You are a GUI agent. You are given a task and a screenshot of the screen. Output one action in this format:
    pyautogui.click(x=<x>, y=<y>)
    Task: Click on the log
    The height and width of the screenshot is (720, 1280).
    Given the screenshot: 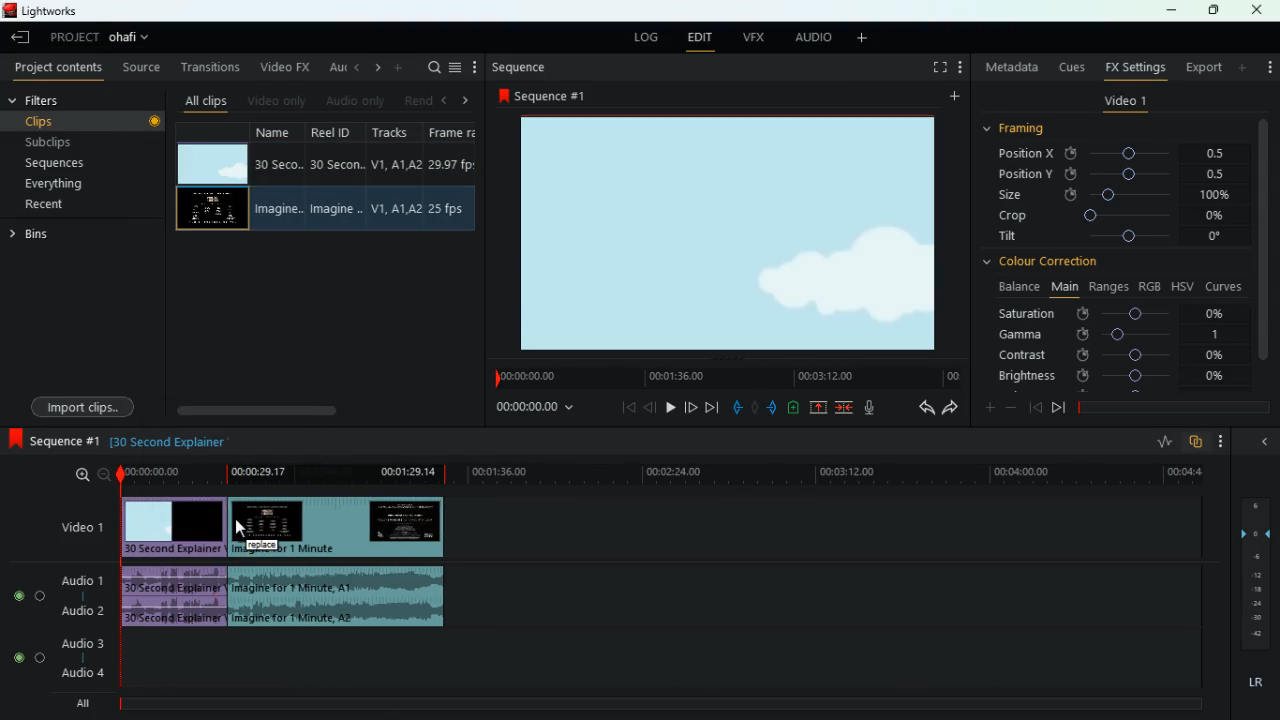 What is the action you would take?
    pyautogui.click(x=646, y=39)
    